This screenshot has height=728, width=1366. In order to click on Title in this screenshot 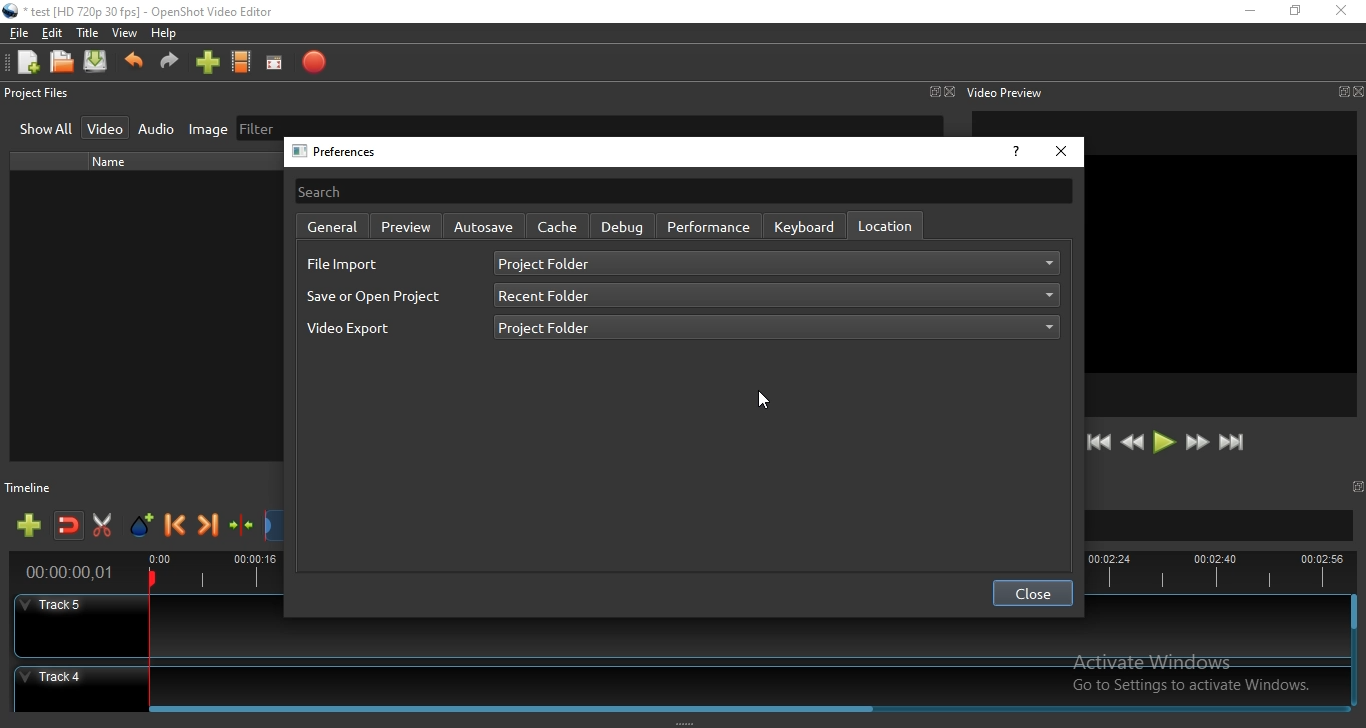, I will do `click(88, 33)`.